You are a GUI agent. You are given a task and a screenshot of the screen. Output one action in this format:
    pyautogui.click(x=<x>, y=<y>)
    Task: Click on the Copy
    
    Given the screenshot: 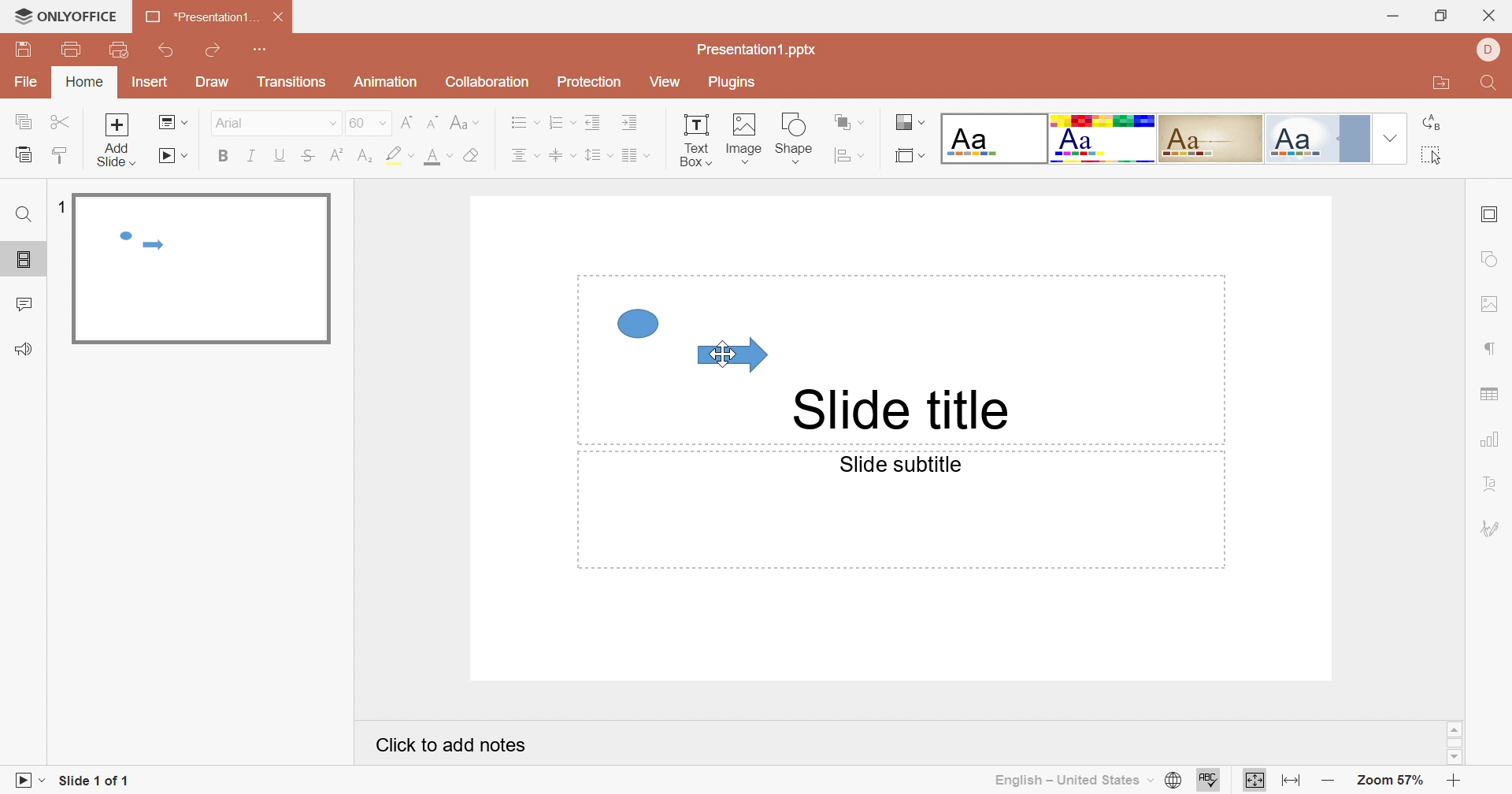 What is the action you would take?
    pyautogui.click(x=20, y=123)
    